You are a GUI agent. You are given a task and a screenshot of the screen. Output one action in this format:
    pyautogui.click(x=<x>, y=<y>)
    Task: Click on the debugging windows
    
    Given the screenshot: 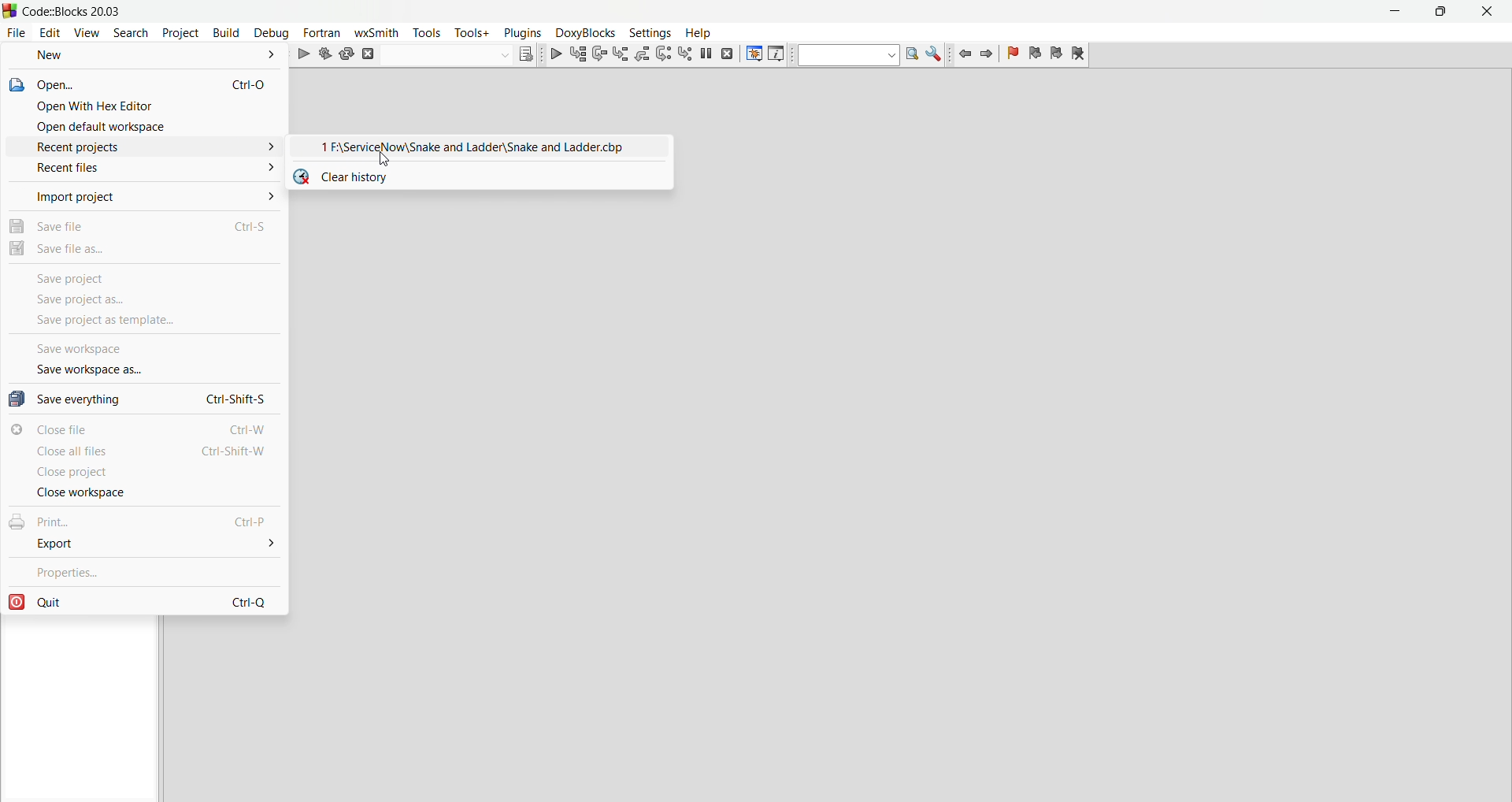 What is the action you would take?
    pyautogui.click(x=751, y=54)
    